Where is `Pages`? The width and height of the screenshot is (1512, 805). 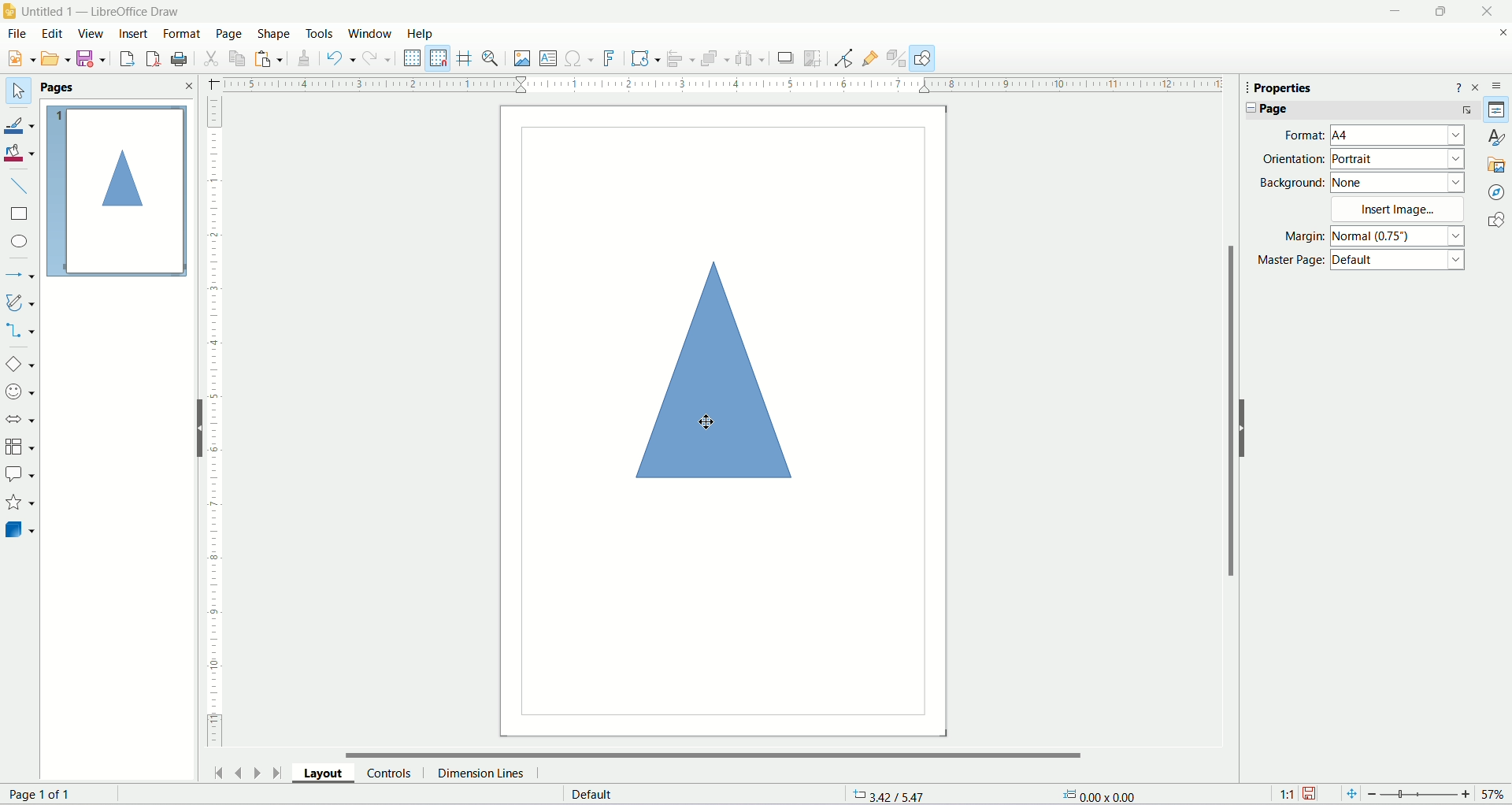
Pages is located at coordinates (57, 87).